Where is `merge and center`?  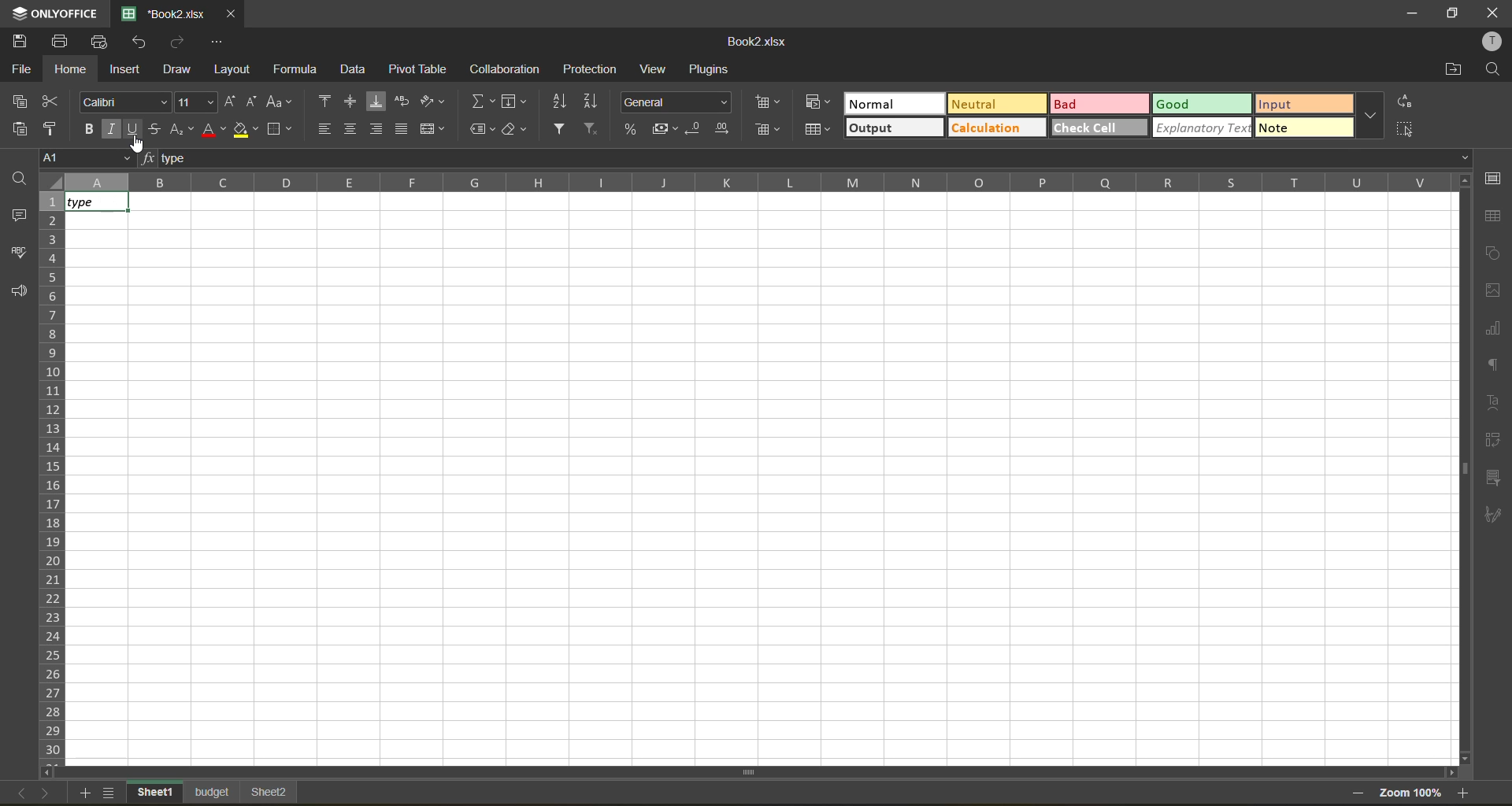
merge and center is located at coordinates (434, 129).